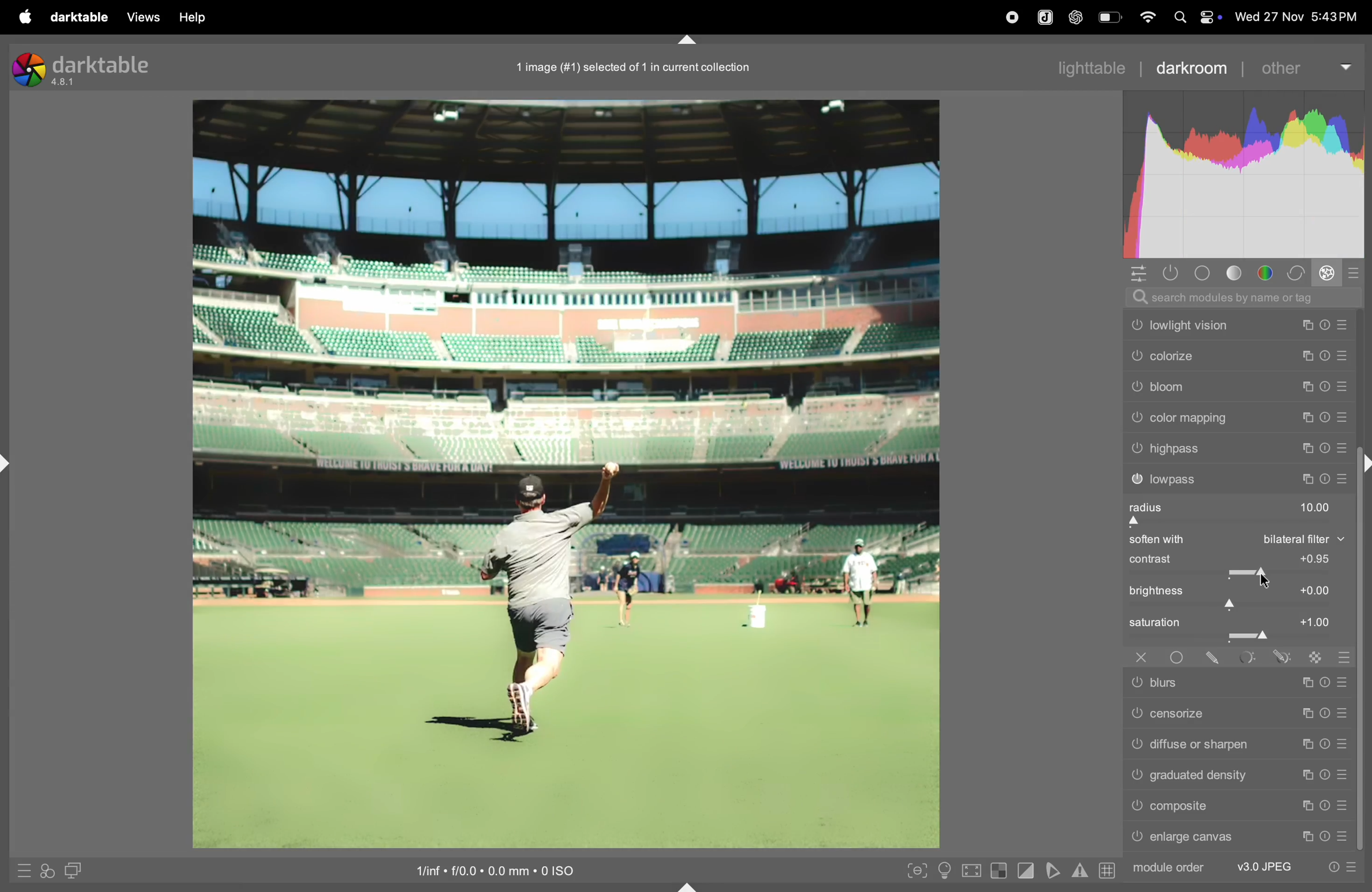 This screenshot has width=1372, height=892. I want to click on shift+ctrl+t, so click(688, 40).